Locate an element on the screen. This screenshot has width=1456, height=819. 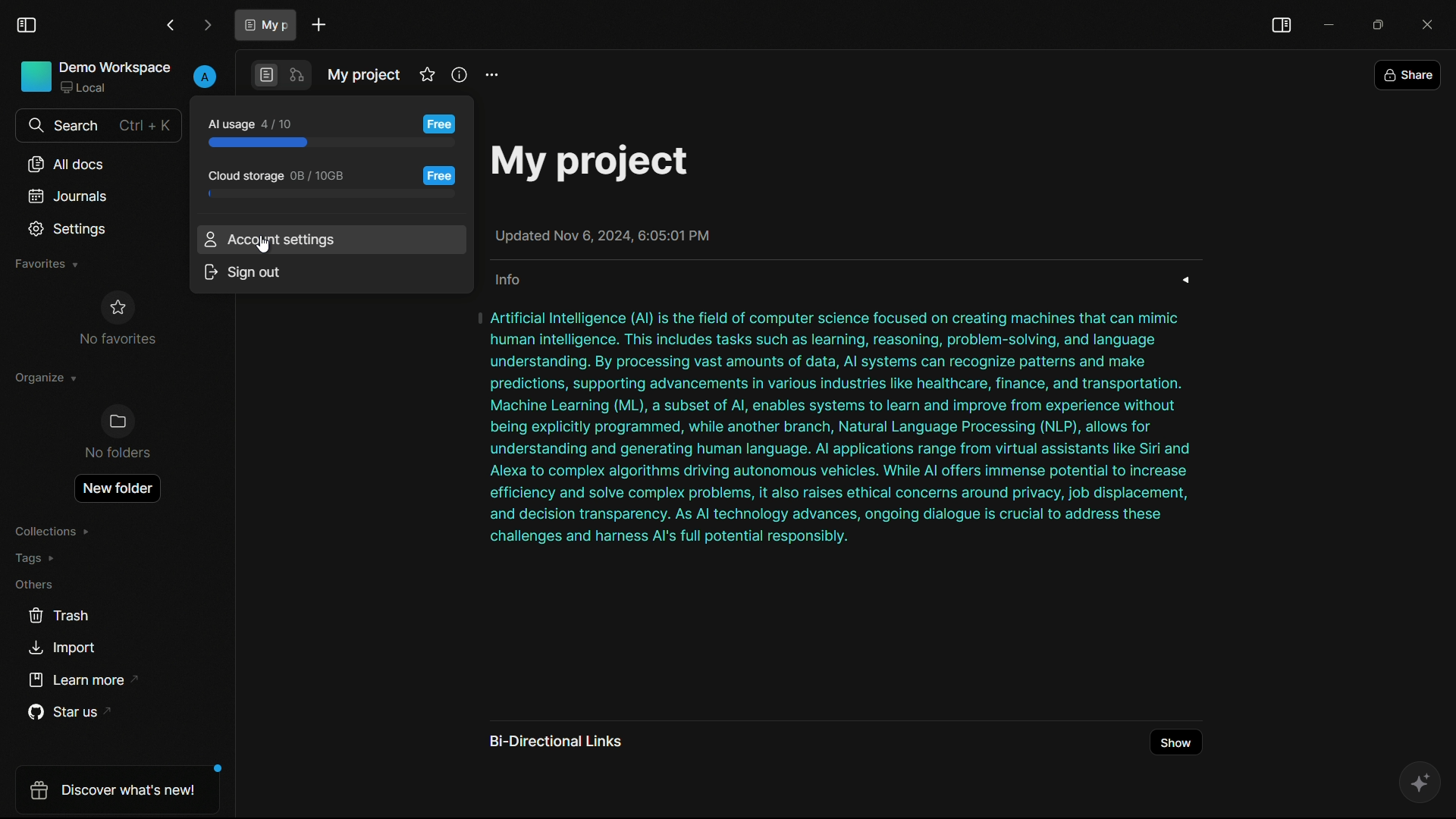
others is located at coordinates (34, 588).